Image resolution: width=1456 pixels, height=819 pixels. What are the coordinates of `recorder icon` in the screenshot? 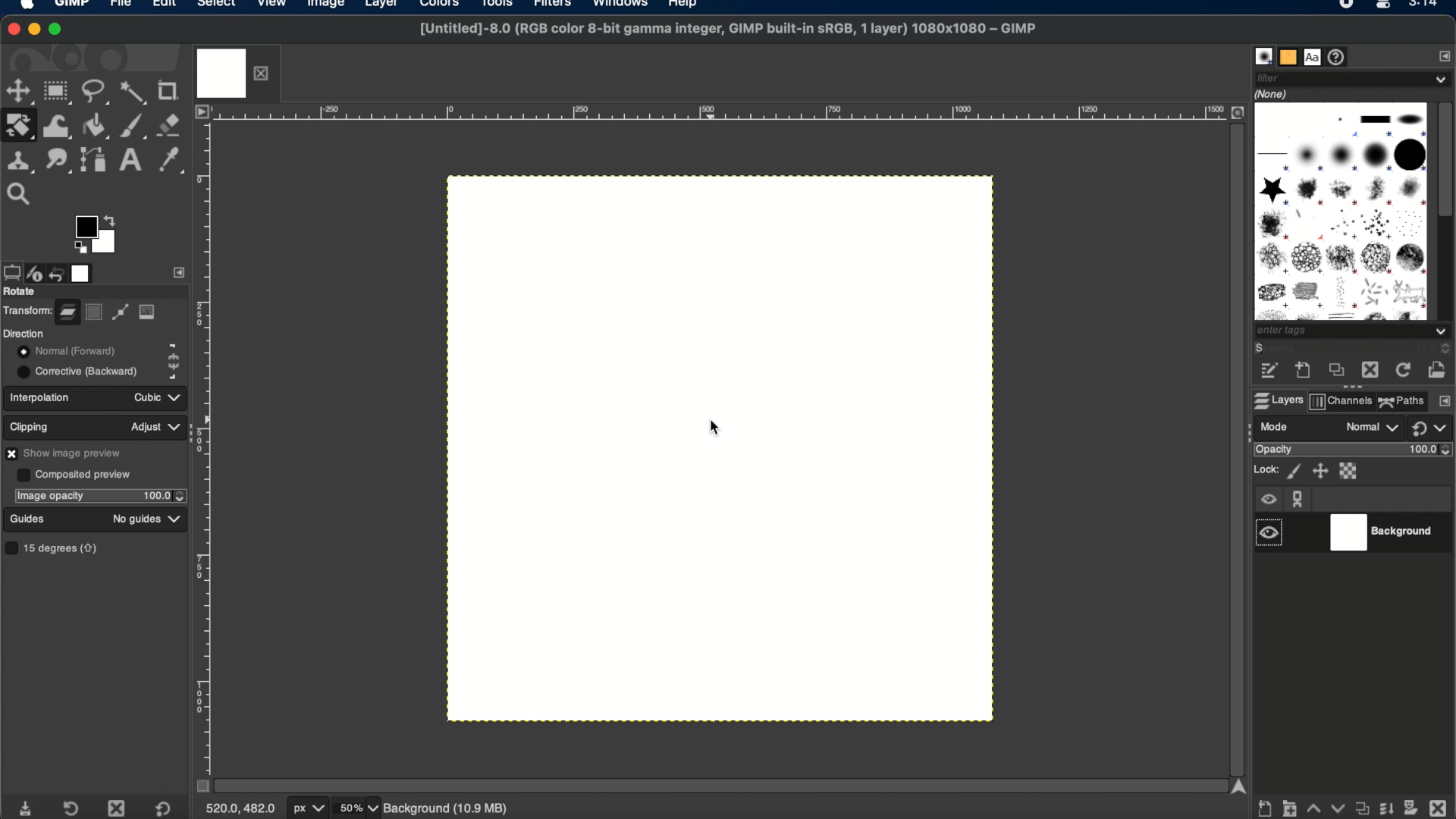 It's located at (1345, 6).